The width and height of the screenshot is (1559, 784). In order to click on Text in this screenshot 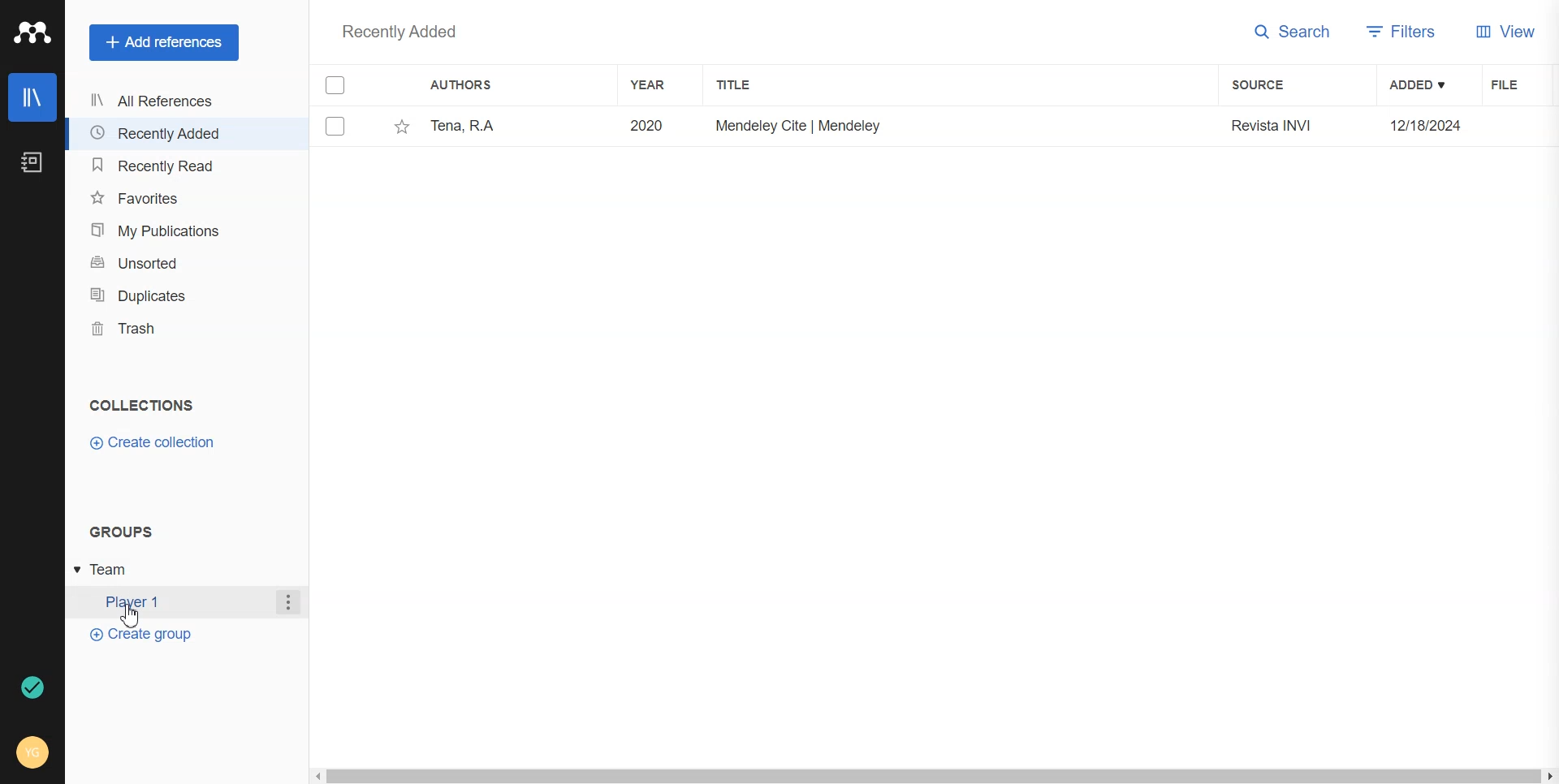, I will do `click(142, 405)`.